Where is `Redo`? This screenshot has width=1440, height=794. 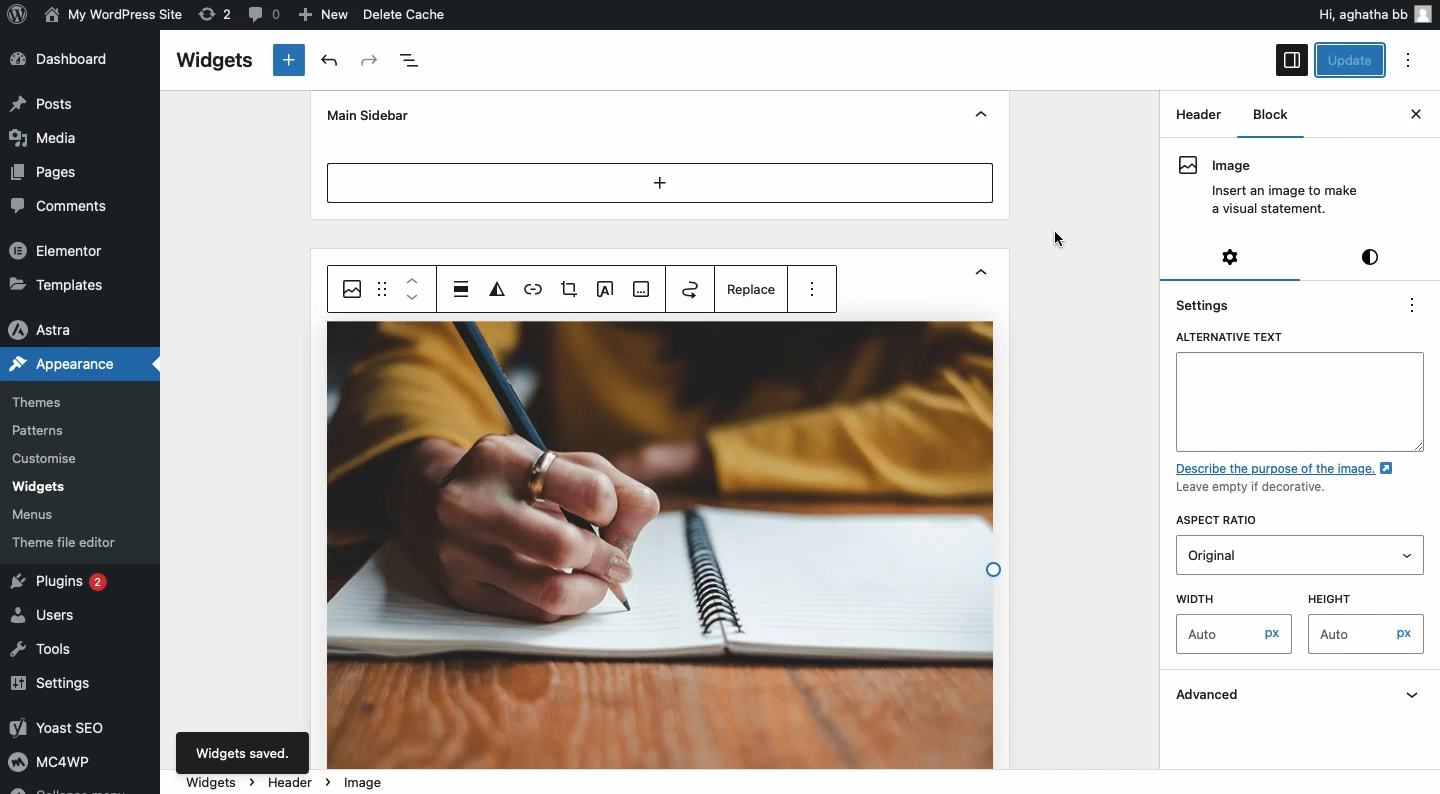
Redo is located at coordinates (371, 61).